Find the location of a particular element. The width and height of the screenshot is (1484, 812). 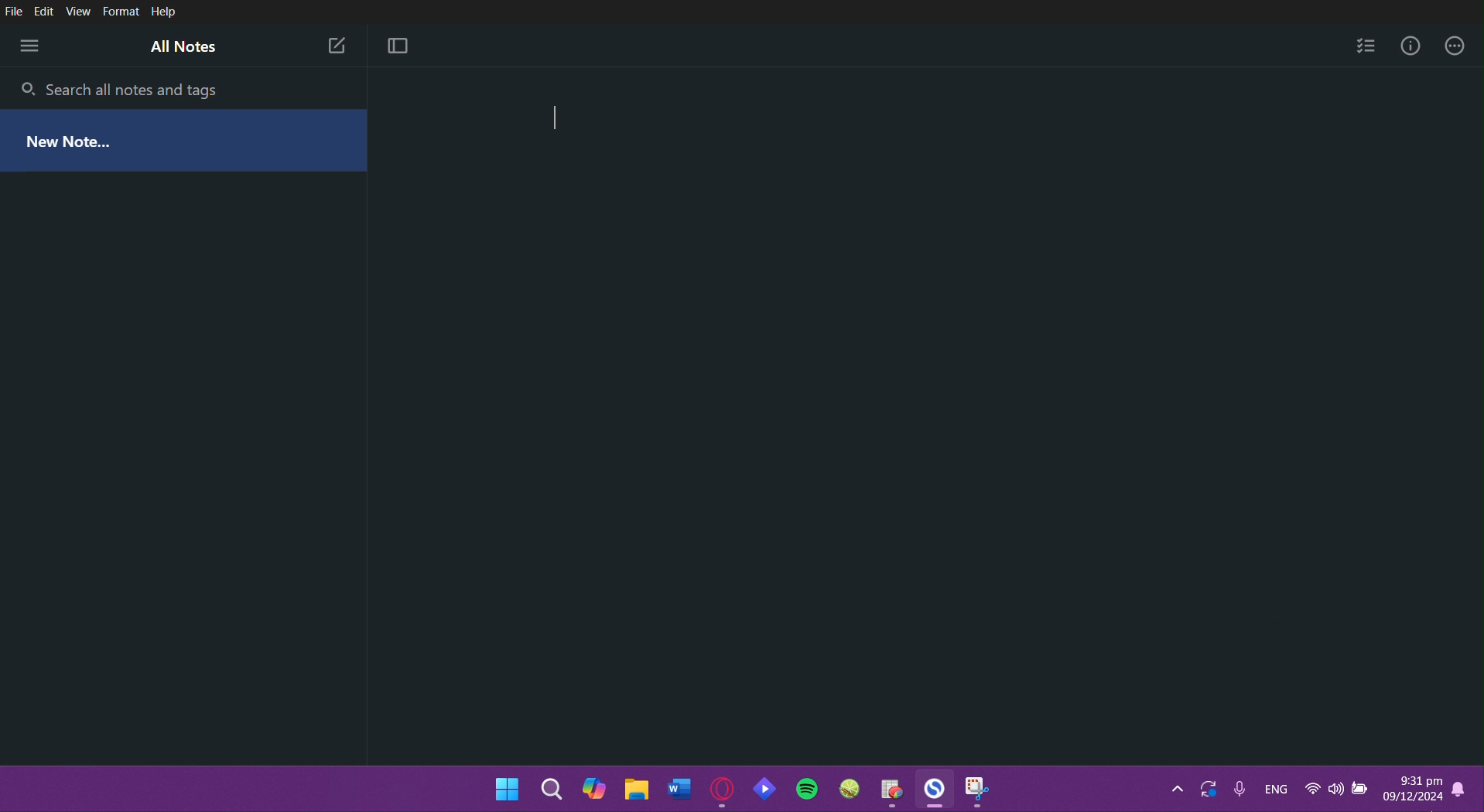

typing cursor is located at coordinates (557, 120).